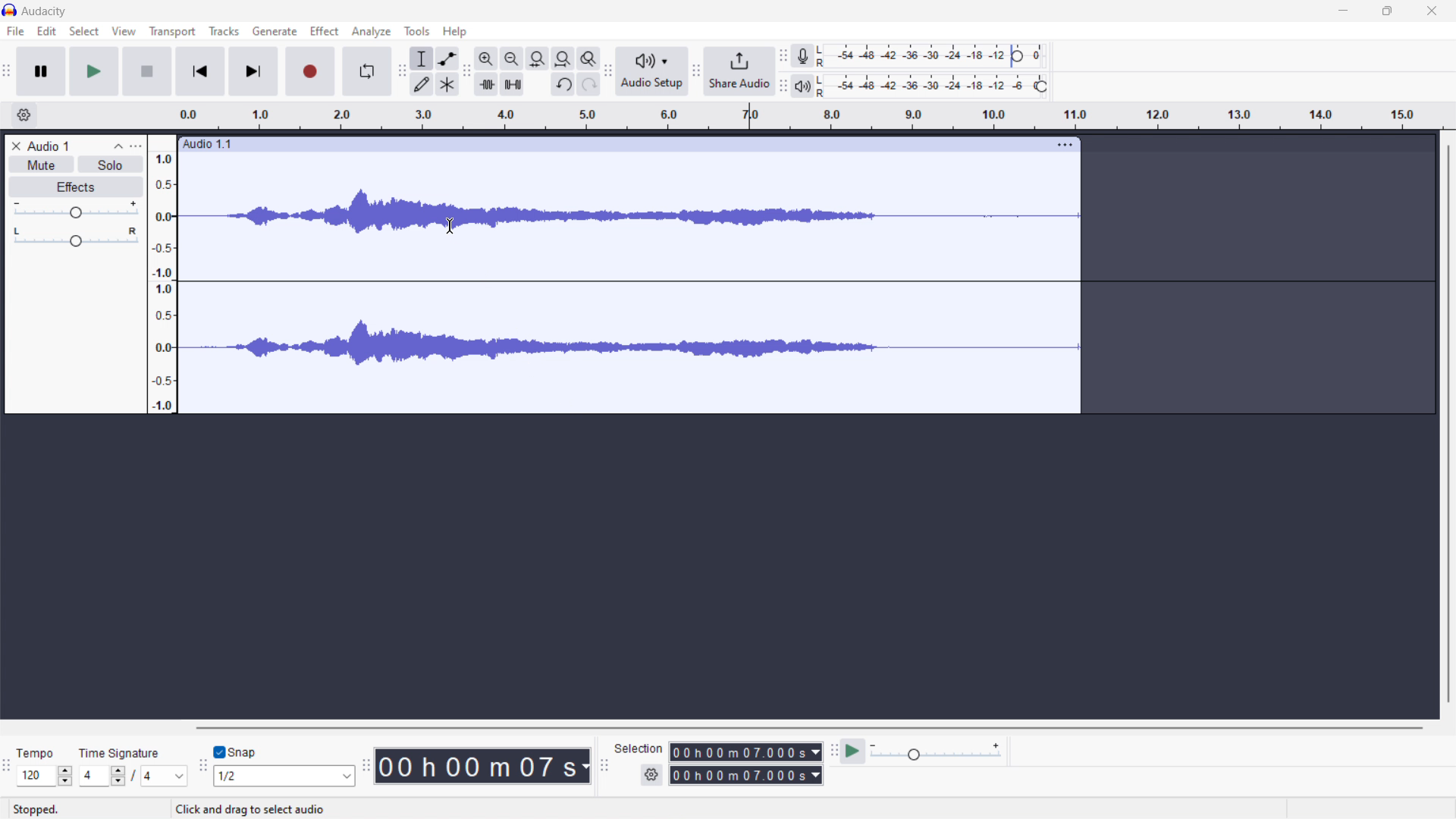 The width and height of the screenshot is (1456, 819). I want to click on selection toolbar, so click(604, 766).